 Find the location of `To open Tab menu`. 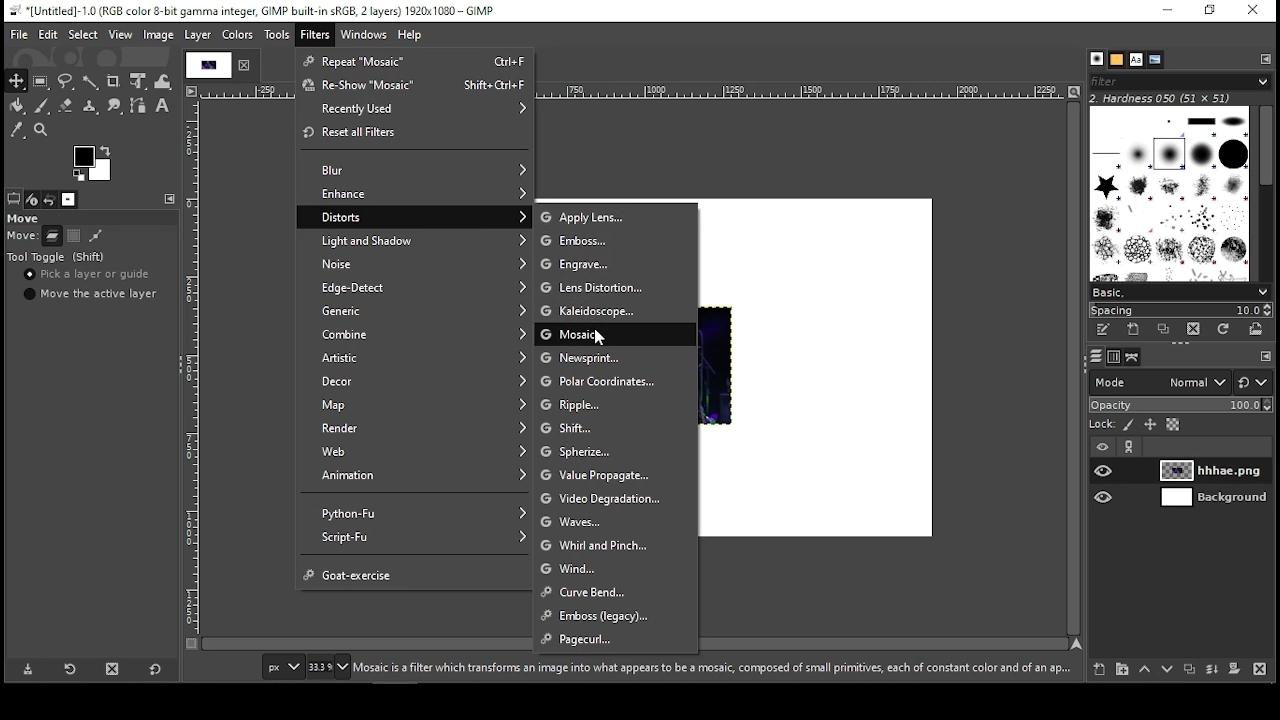

To open Tab menu is located at coordinates (170, 199).